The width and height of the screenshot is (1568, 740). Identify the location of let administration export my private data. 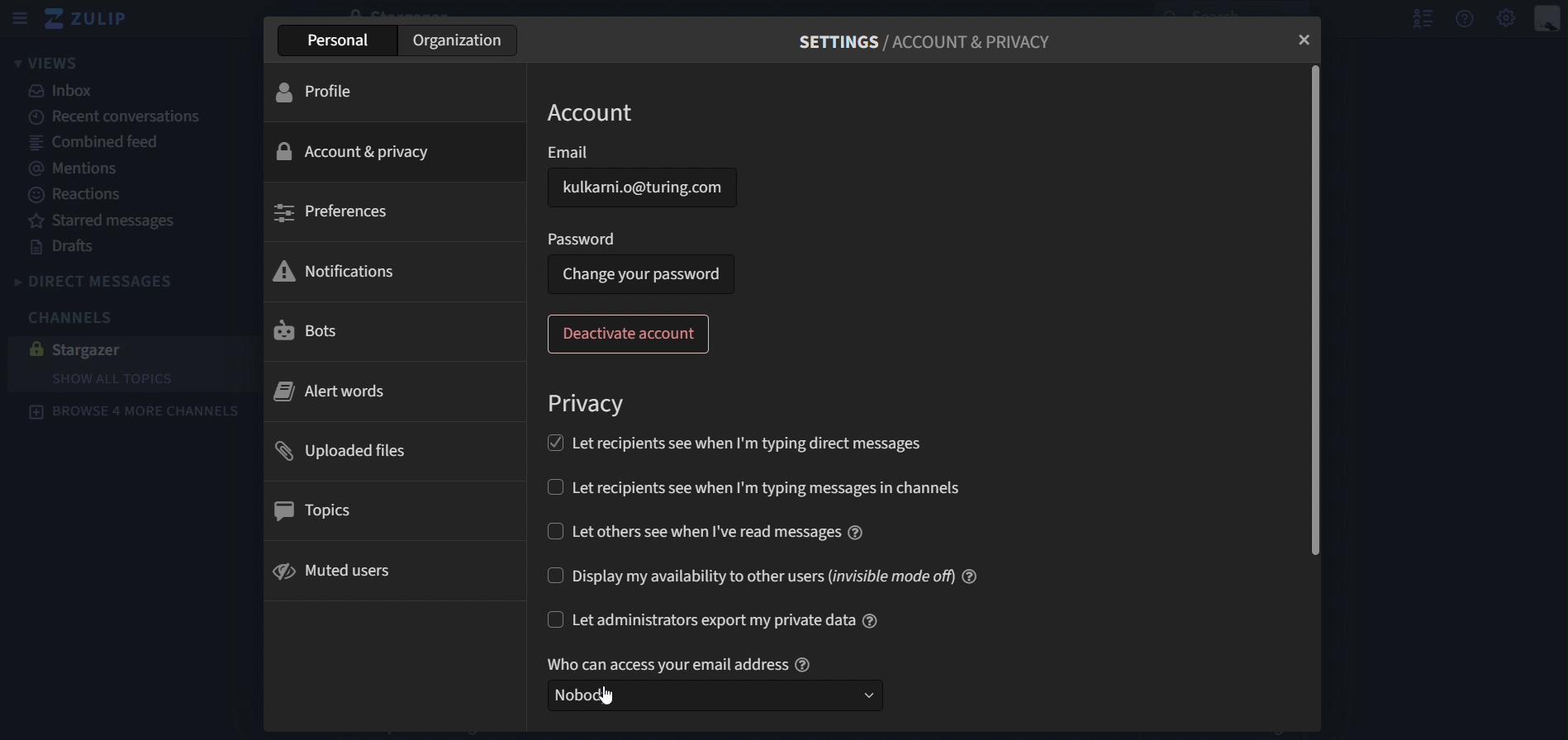
(716, 622).